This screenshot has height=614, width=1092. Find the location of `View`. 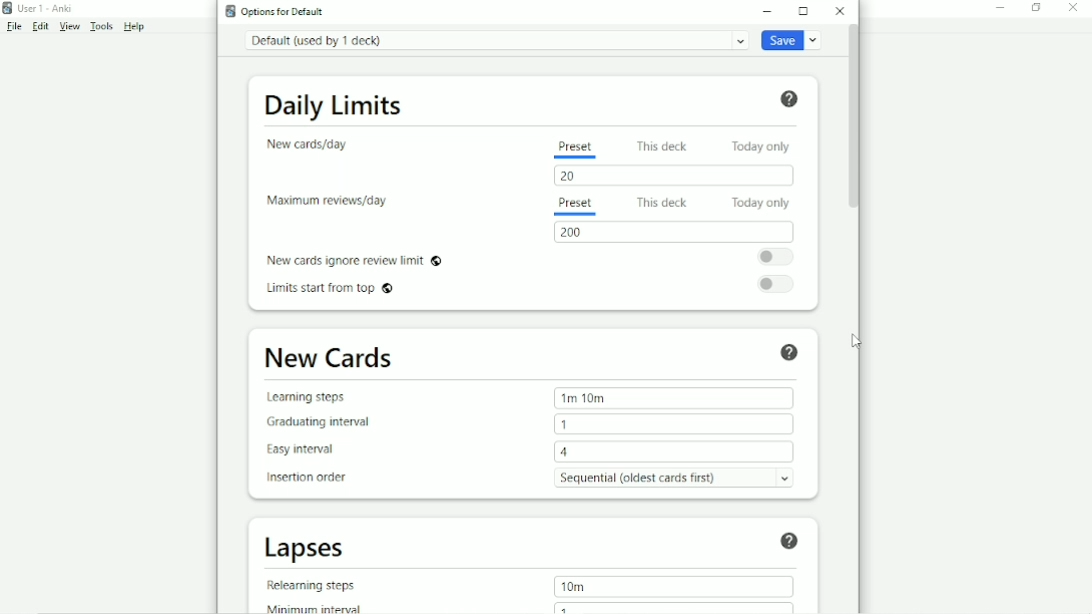

View is located at coordinates (69, 27).